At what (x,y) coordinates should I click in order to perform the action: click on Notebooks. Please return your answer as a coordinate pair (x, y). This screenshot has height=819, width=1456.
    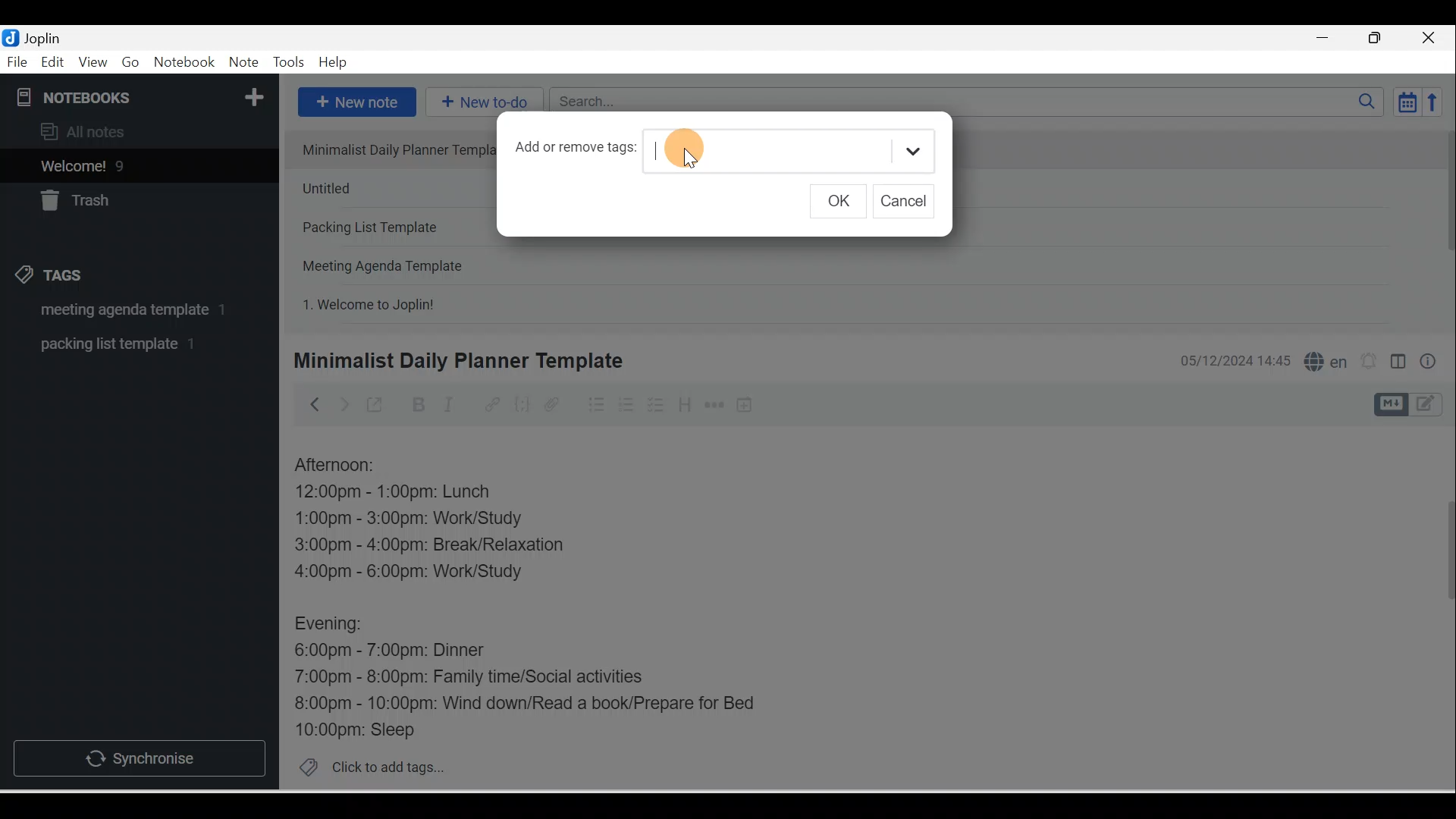
    Looking at the image, I should click on (143, 94).